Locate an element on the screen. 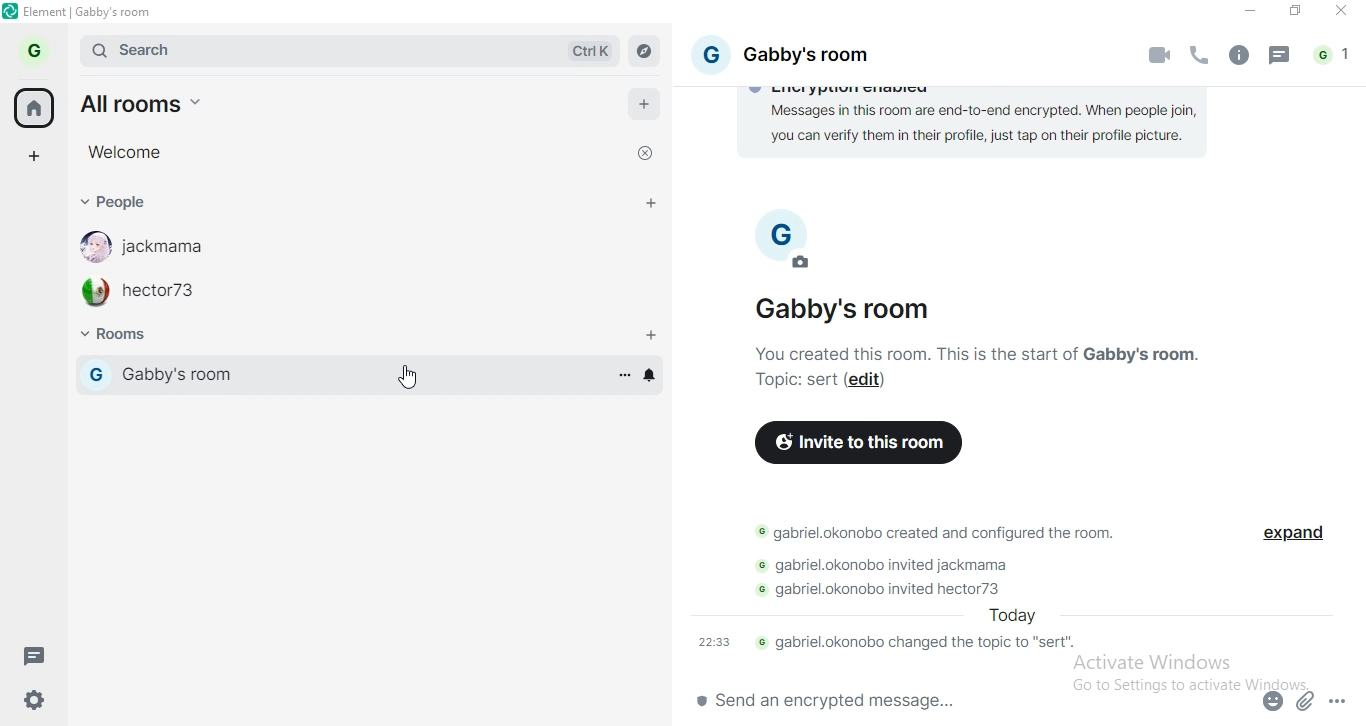 The width and height of the screenshot is (1366, 726). text 5 is located at coordinates (899, 589).